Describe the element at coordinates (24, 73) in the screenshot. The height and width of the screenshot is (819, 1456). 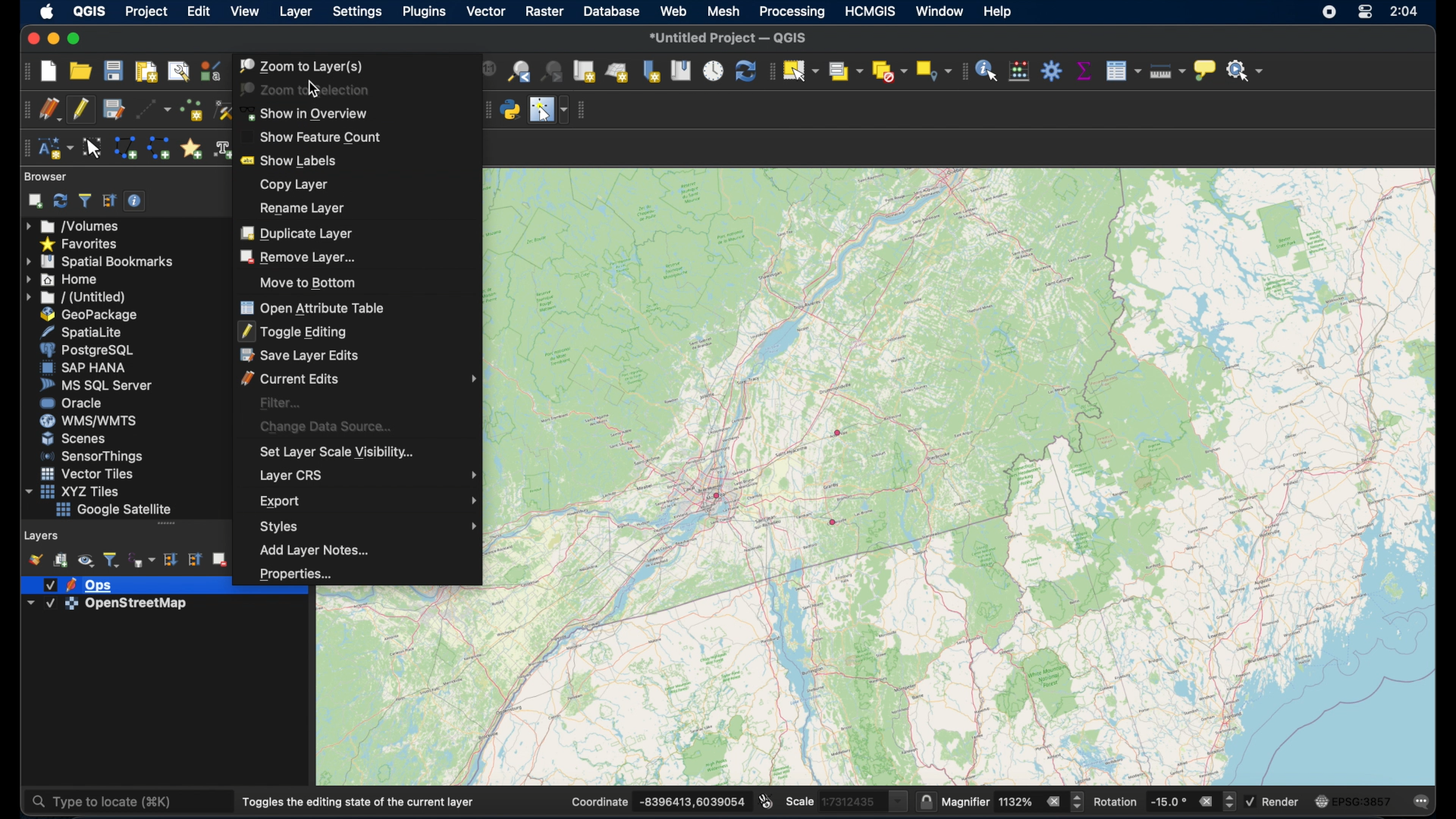
I see `project toolbar` at that location.